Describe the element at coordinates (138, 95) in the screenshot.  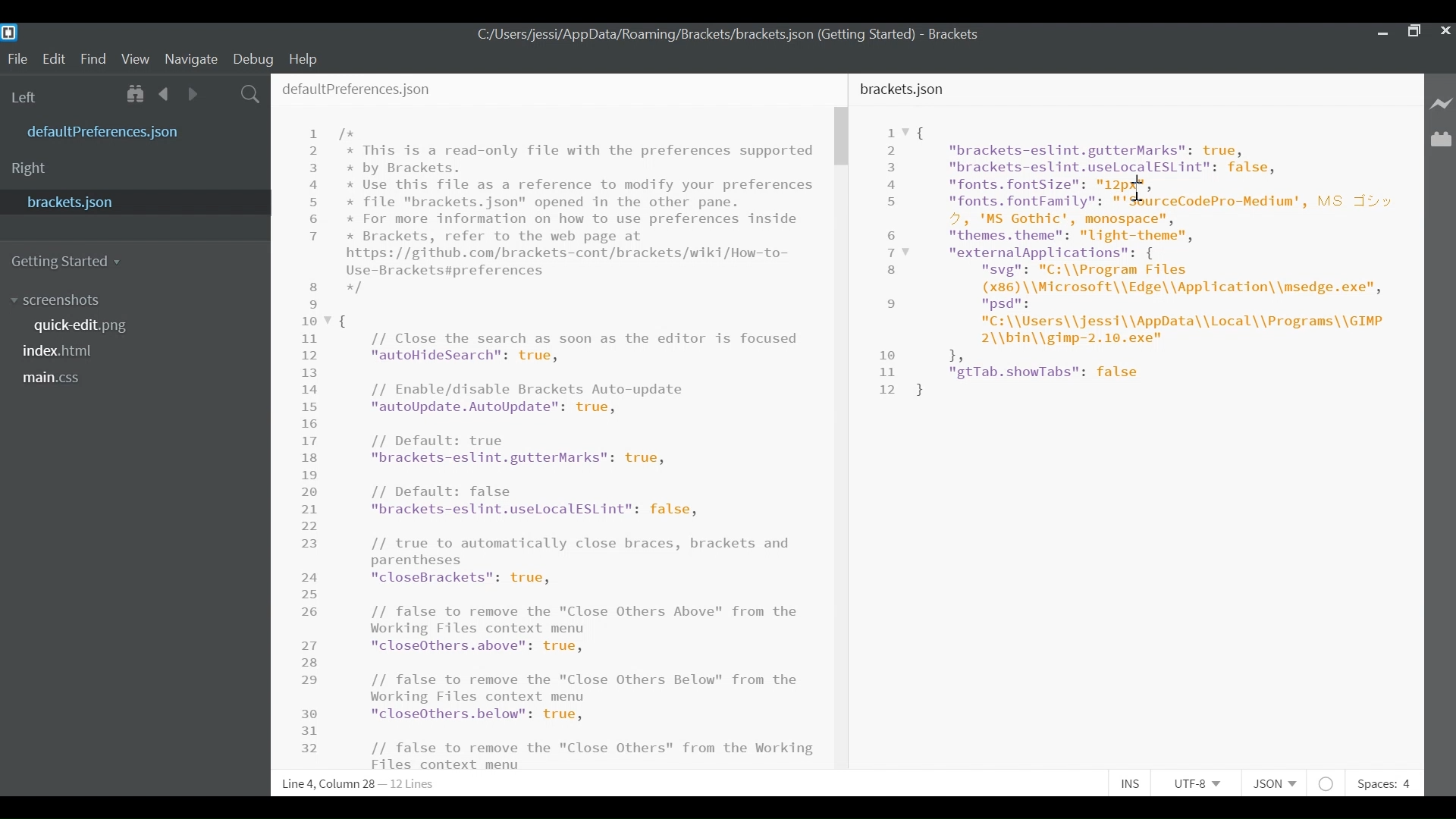
I see `Show in File Tree` at that location.